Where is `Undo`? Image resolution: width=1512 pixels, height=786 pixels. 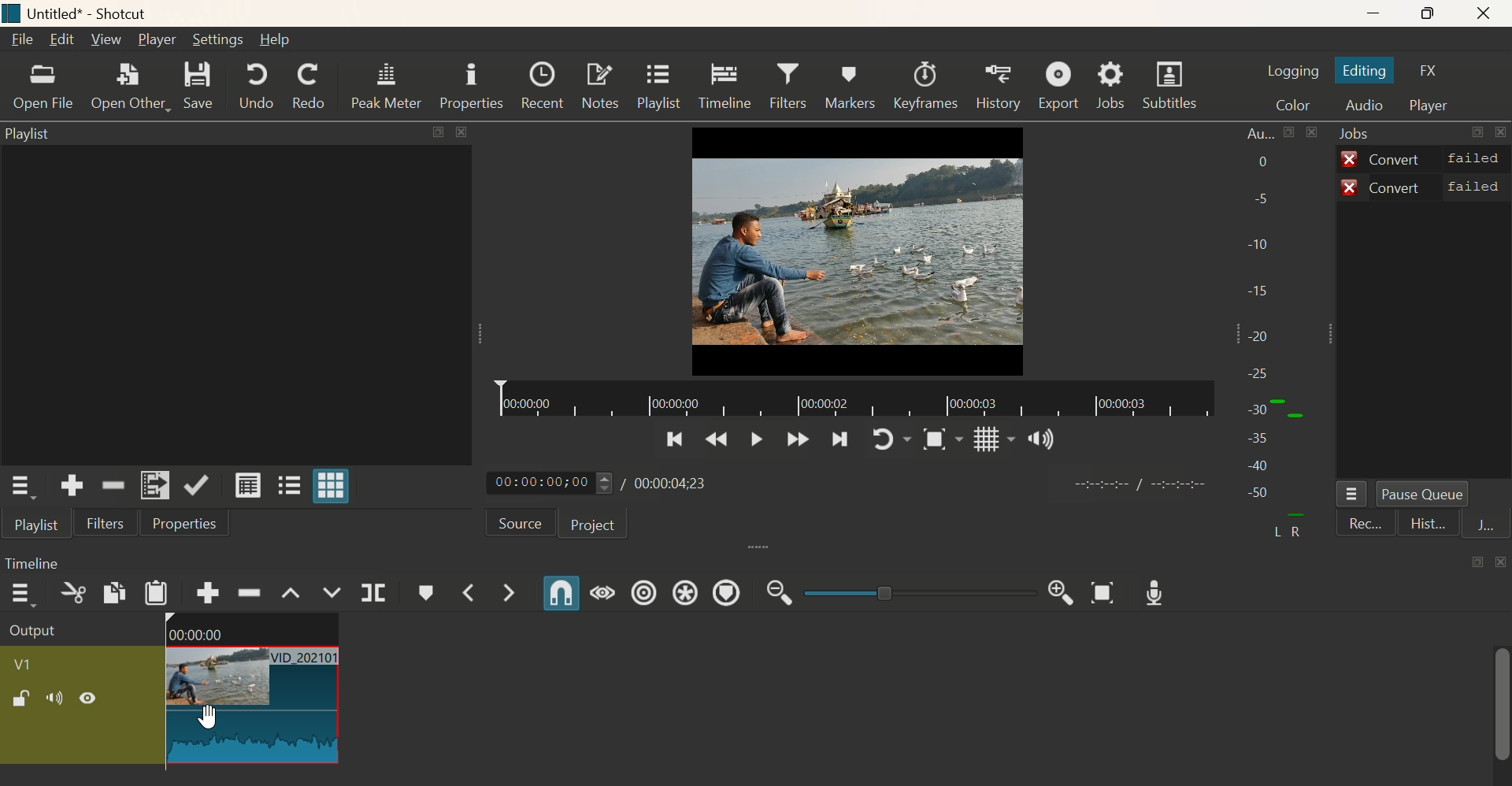 Undo is located at coordinates (257, 86).